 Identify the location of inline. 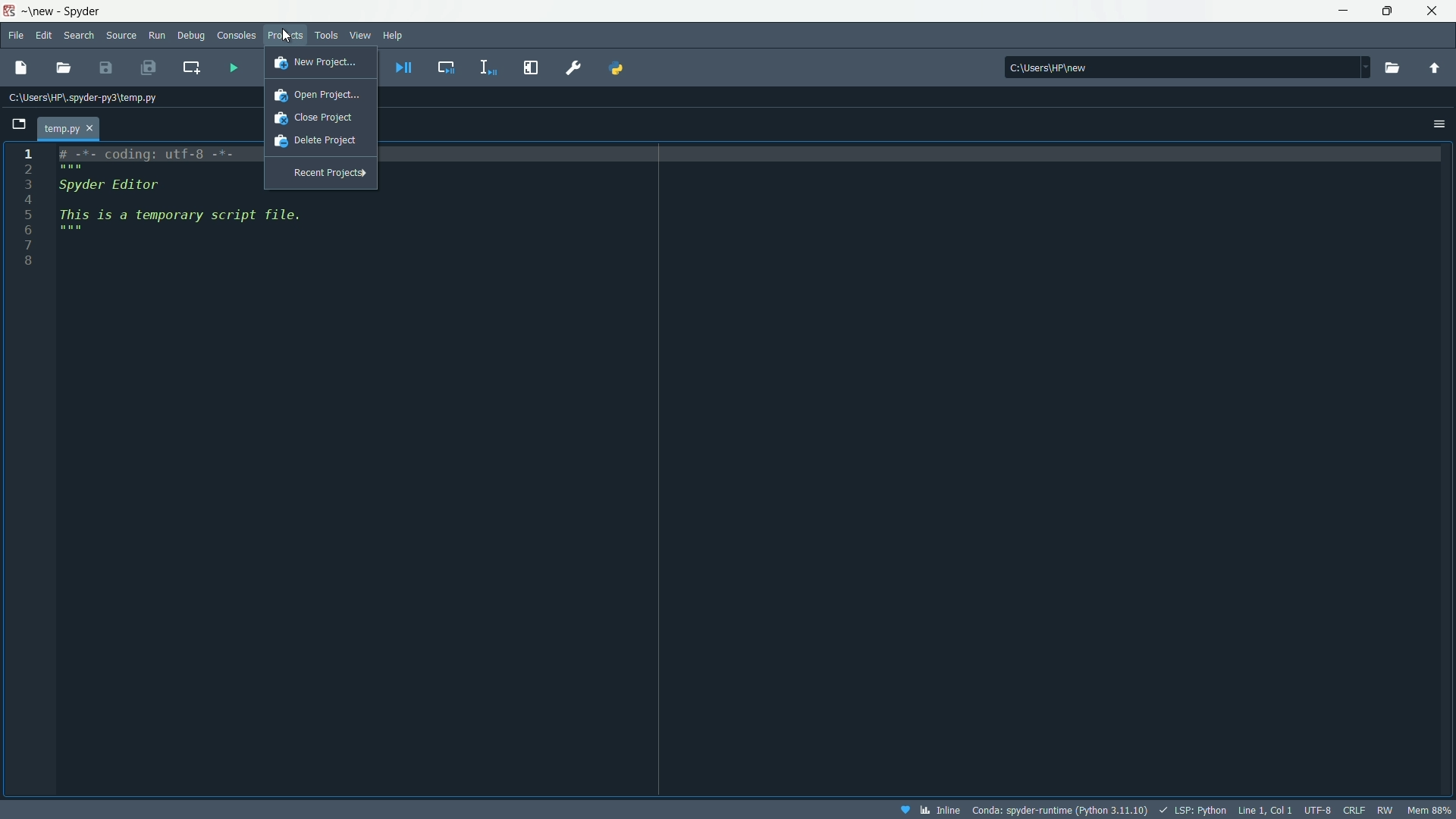
(927, 809).